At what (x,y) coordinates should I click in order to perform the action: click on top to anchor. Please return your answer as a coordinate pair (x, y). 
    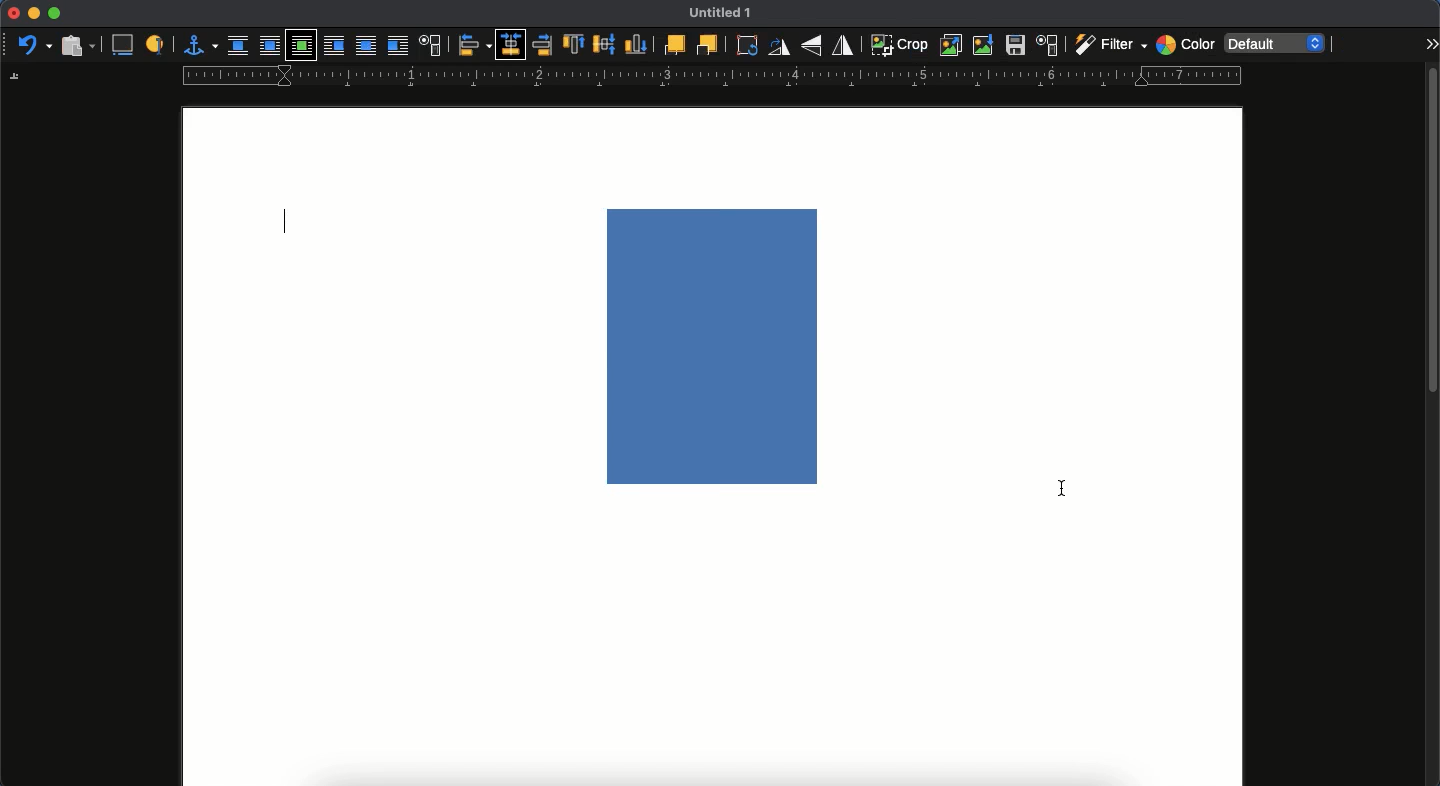
    Looking at the image, I should click on (571, 44).